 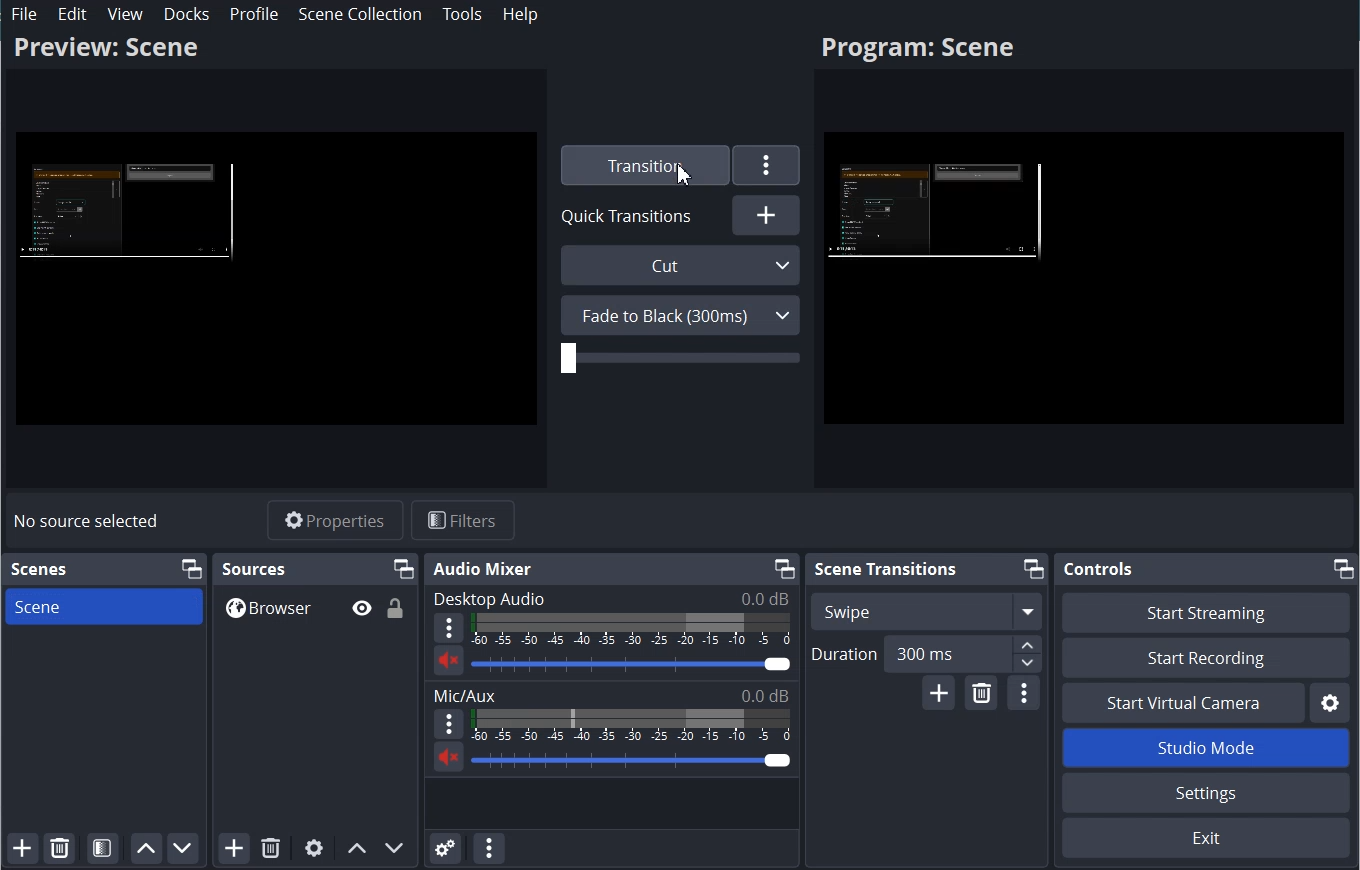 What do you see at coordinates (1023, 694) in the screenshot?
I see `Transition Properties` at bounding box center [1023, 694].